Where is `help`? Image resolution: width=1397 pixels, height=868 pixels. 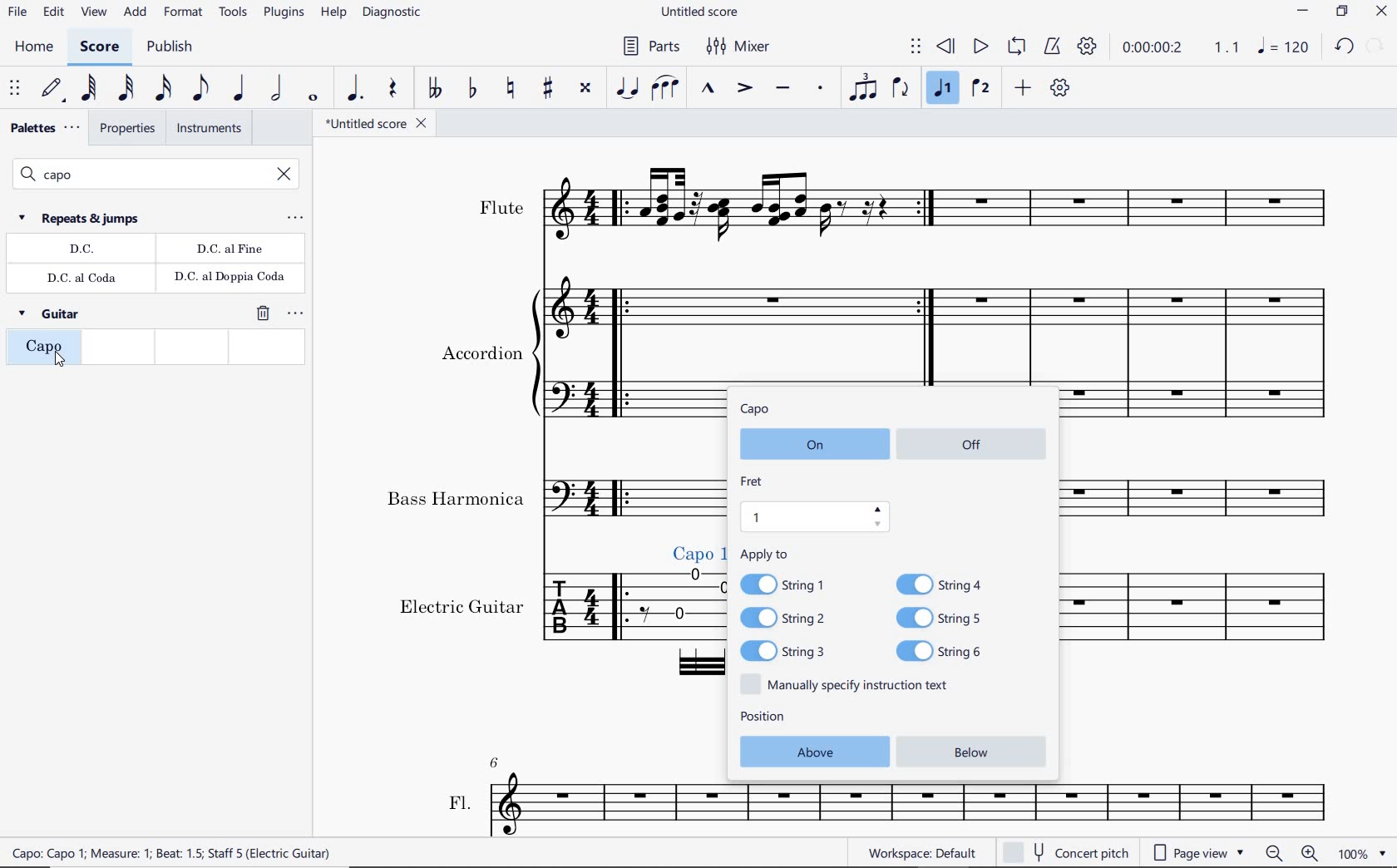 help is located at coordinates (333, 13).